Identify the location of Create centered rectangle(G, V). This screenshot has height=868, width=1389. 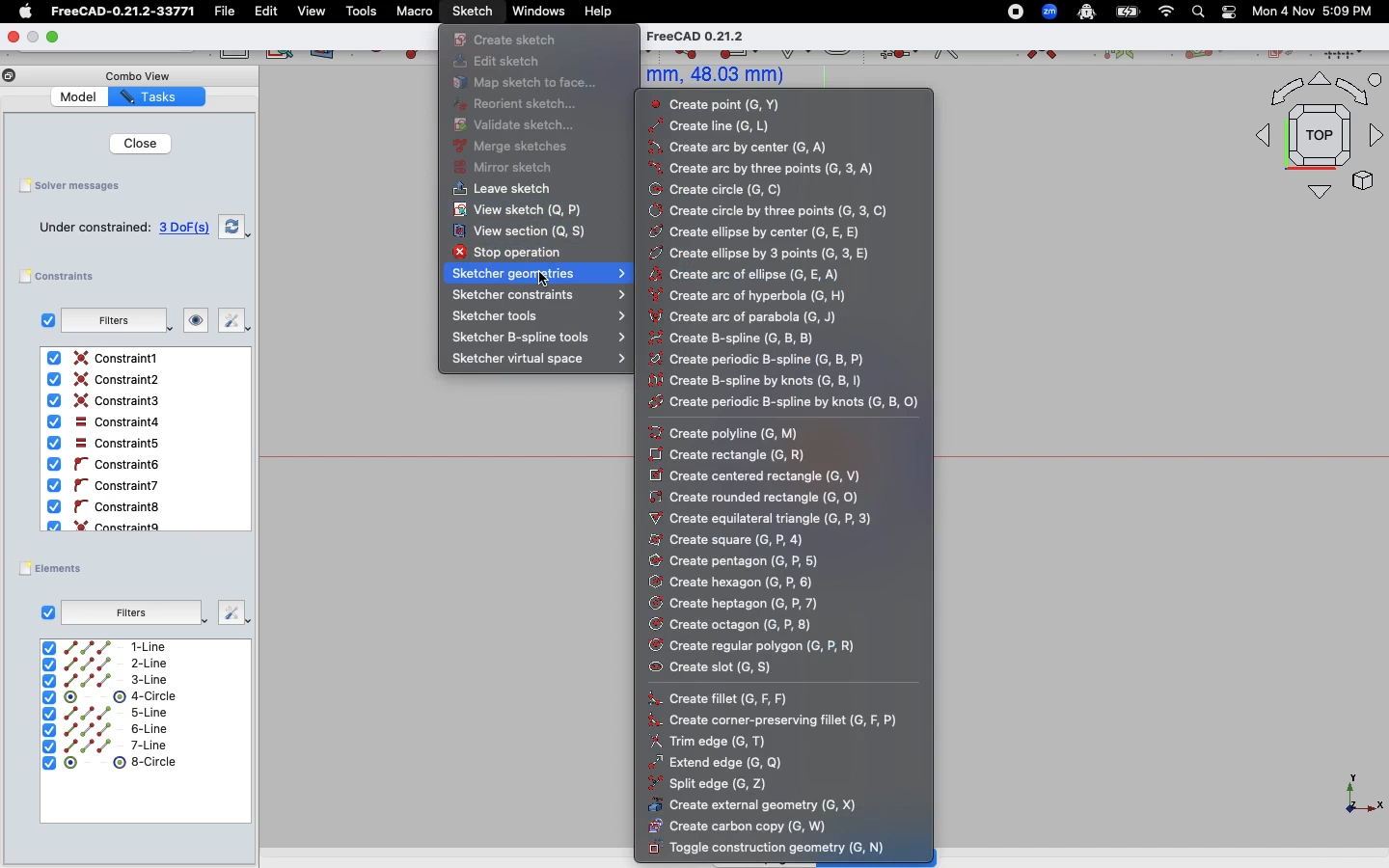
(761, 475).